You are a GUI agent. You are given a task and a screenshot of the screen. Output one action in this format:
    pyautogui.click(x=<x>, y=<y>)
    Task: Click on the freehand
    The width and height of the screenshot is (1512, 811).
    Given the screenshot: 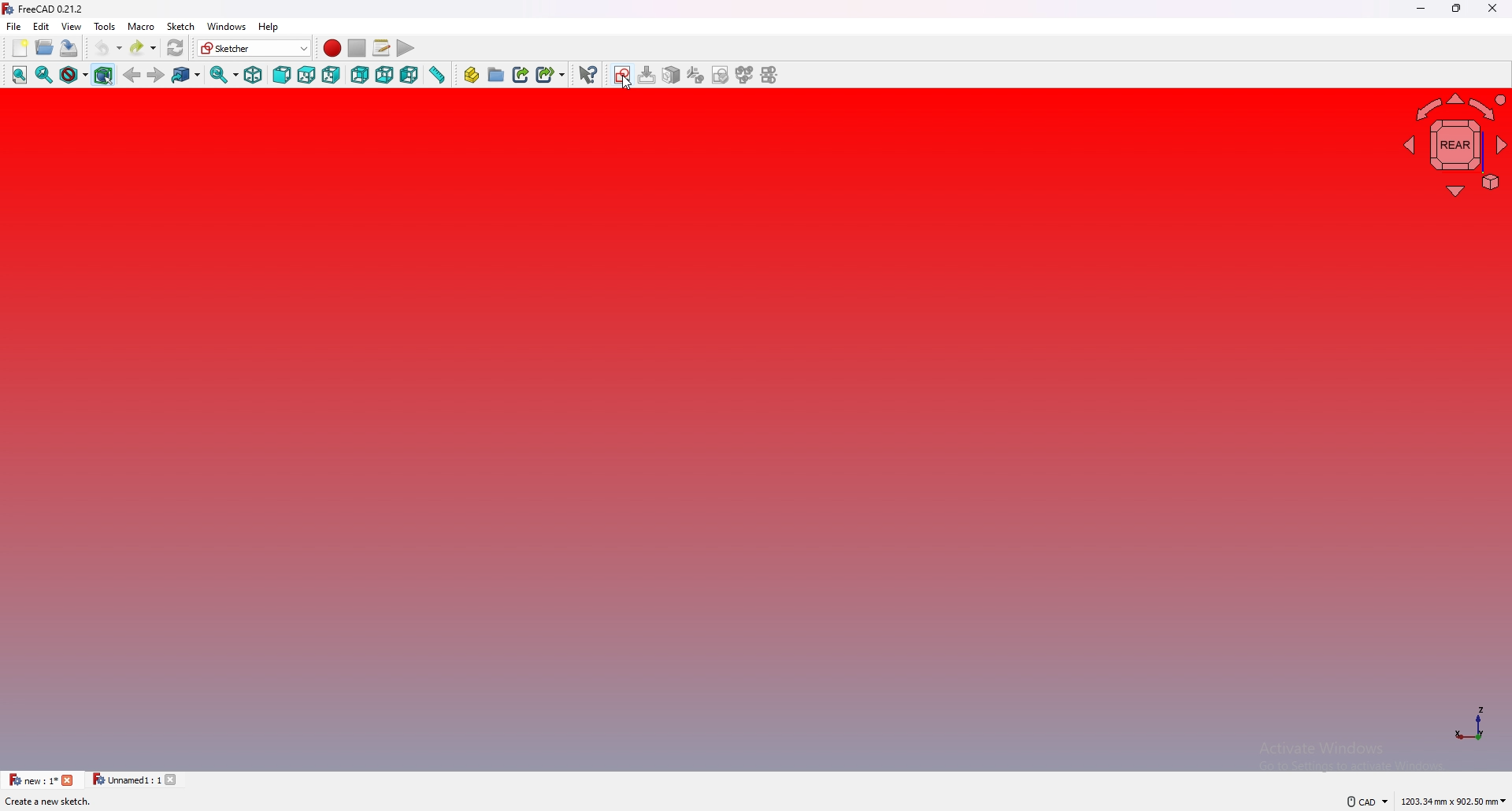 What is the action you would take?
    pyautogui.click(x=770, y=75)
    